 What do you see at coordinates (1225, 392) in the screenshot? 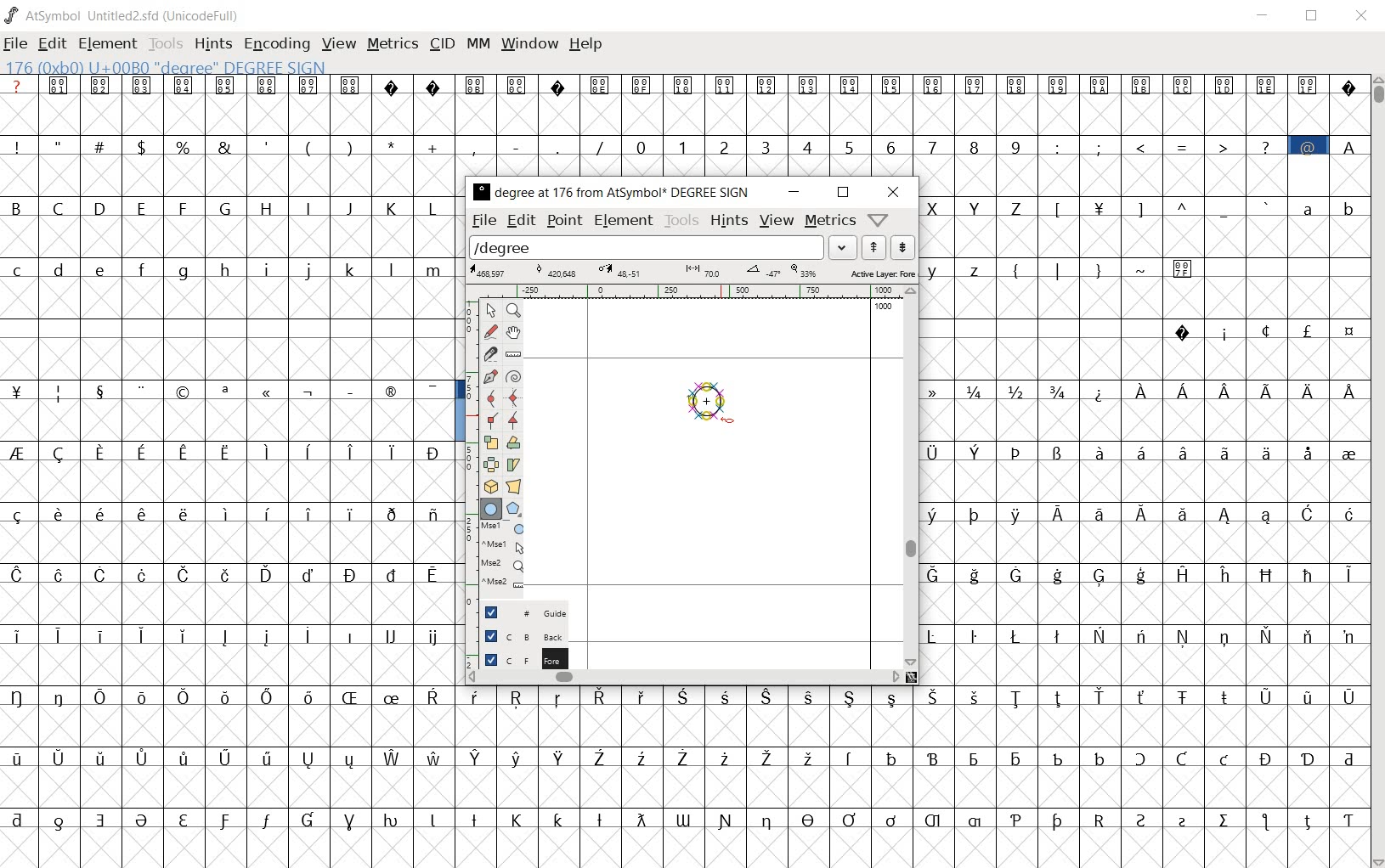
I see `Special letters` at bounding box center [1225, 392].